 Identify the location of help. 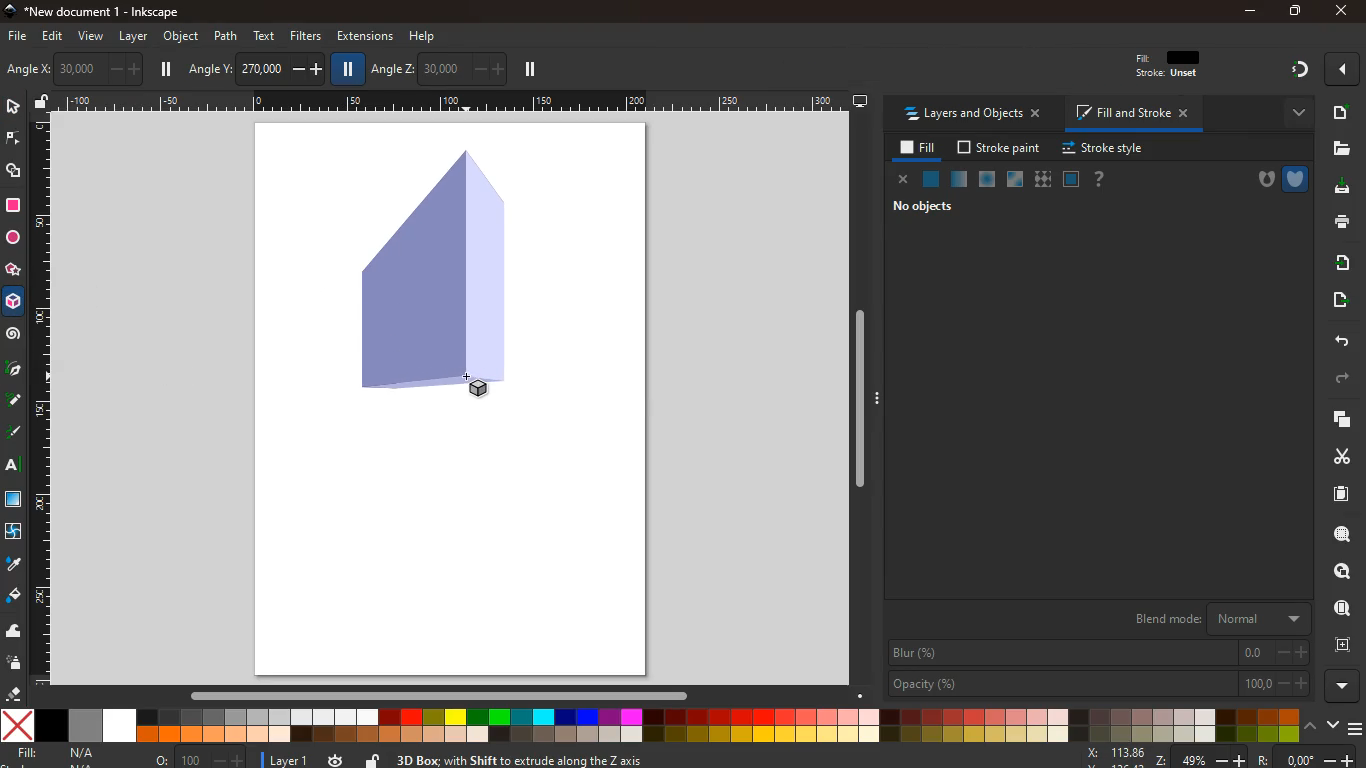
(424, 34).